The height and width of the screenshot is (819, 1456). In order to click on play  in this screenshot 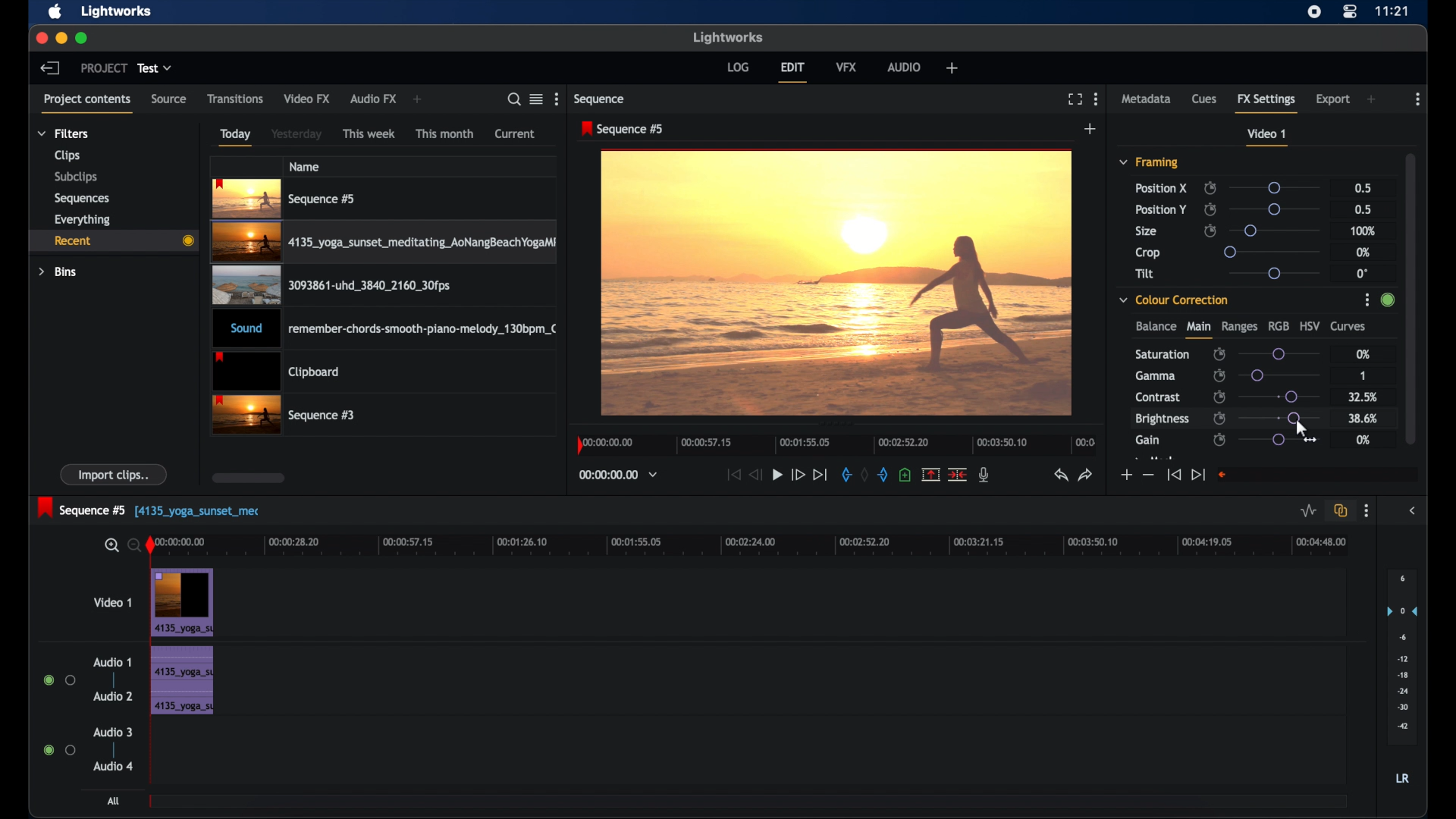, I will do `click(777, 475)`.